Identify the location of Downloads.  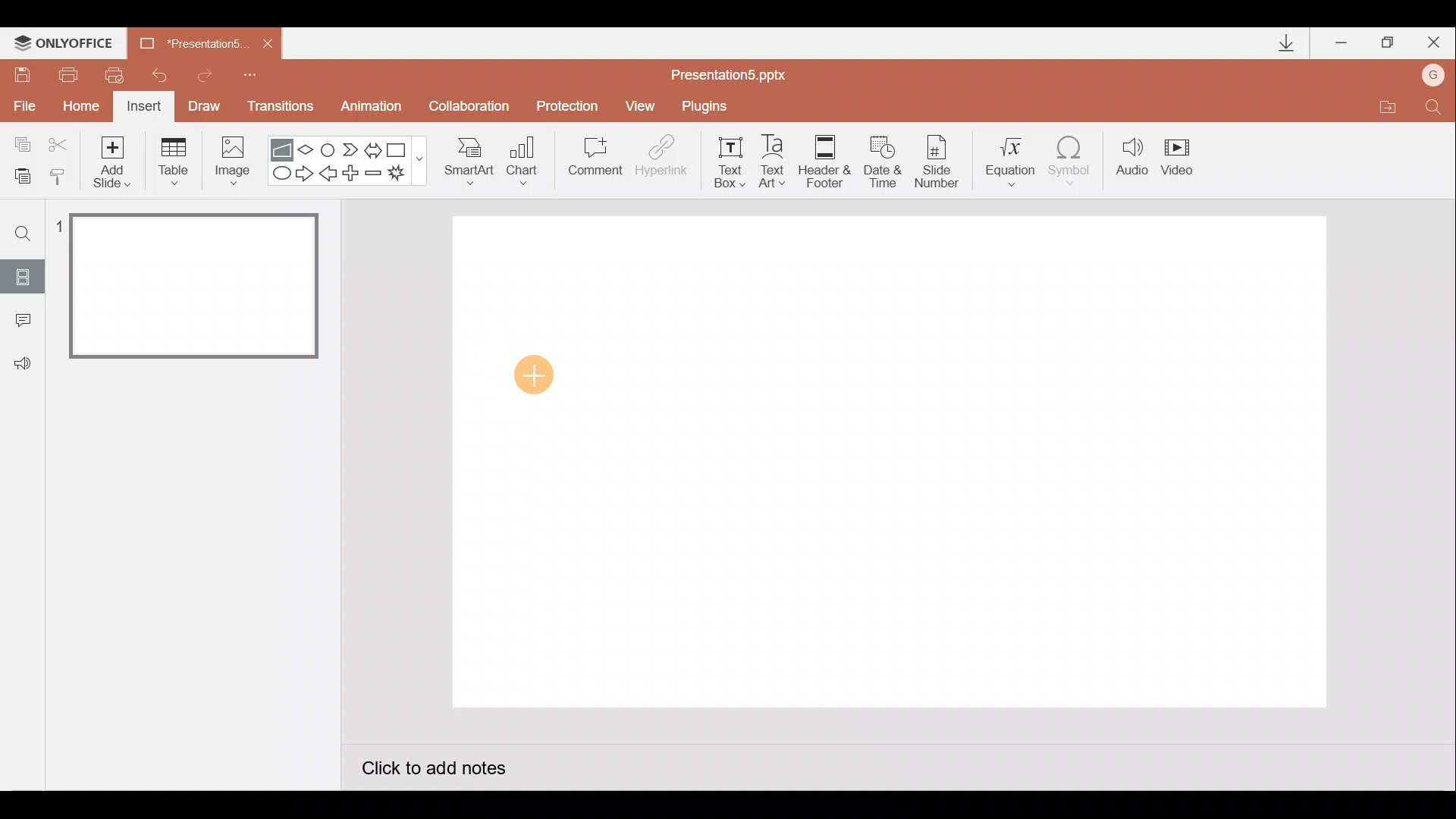
(1284, 44).